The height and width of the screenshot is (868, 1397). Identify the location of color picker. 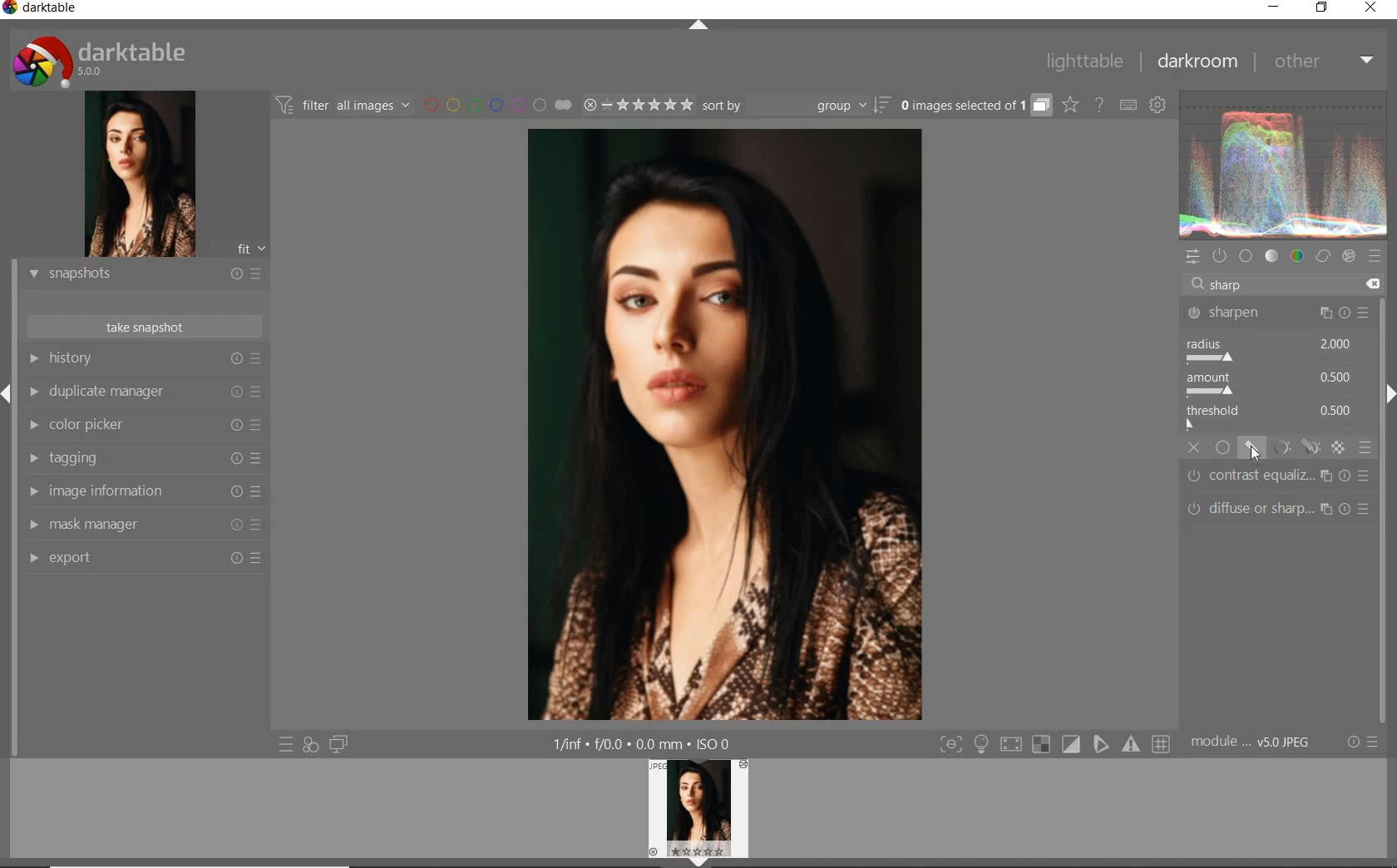
(144, 425).